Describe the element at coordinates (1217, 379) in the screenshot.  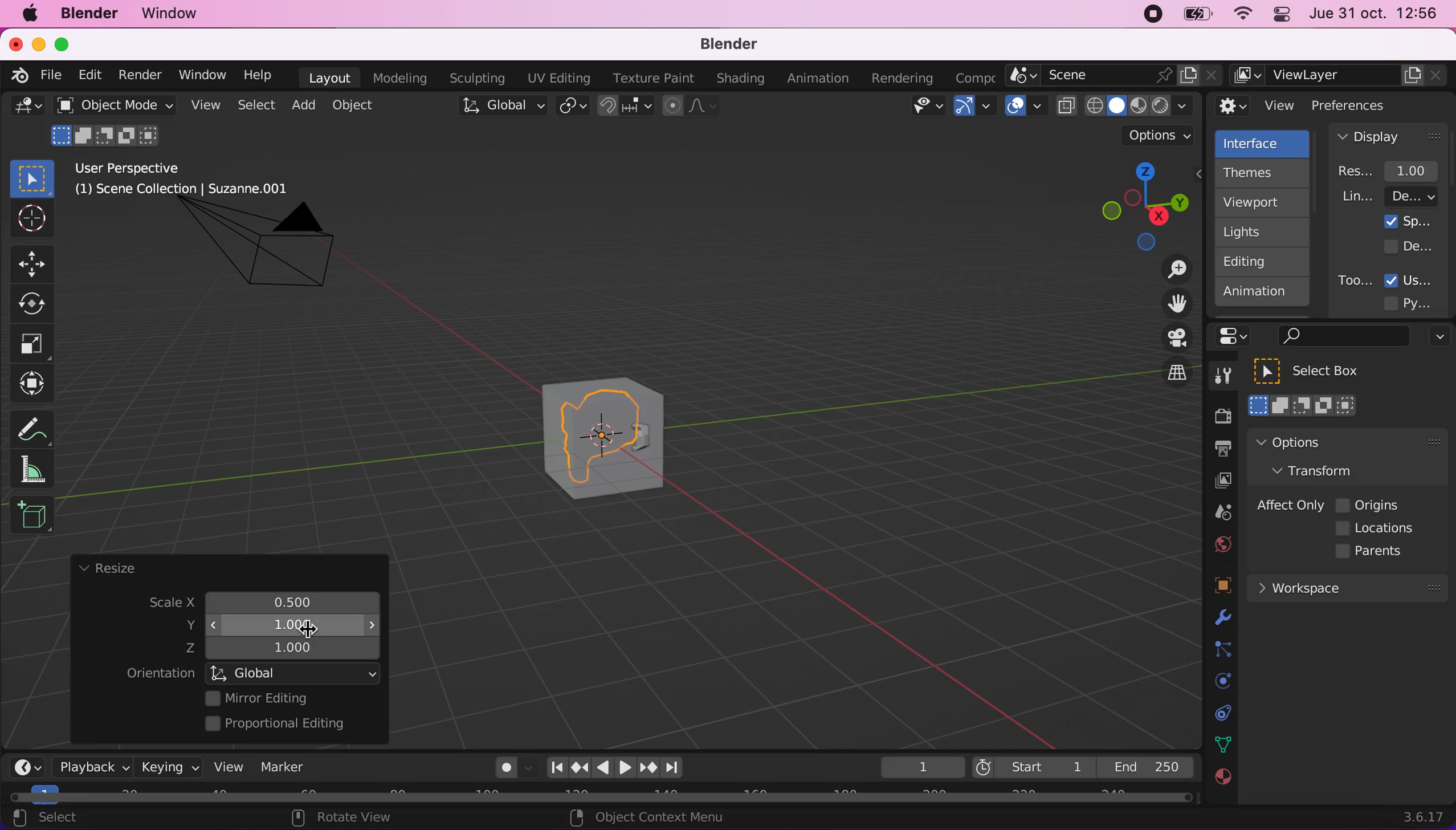
I see `tools` at that location.